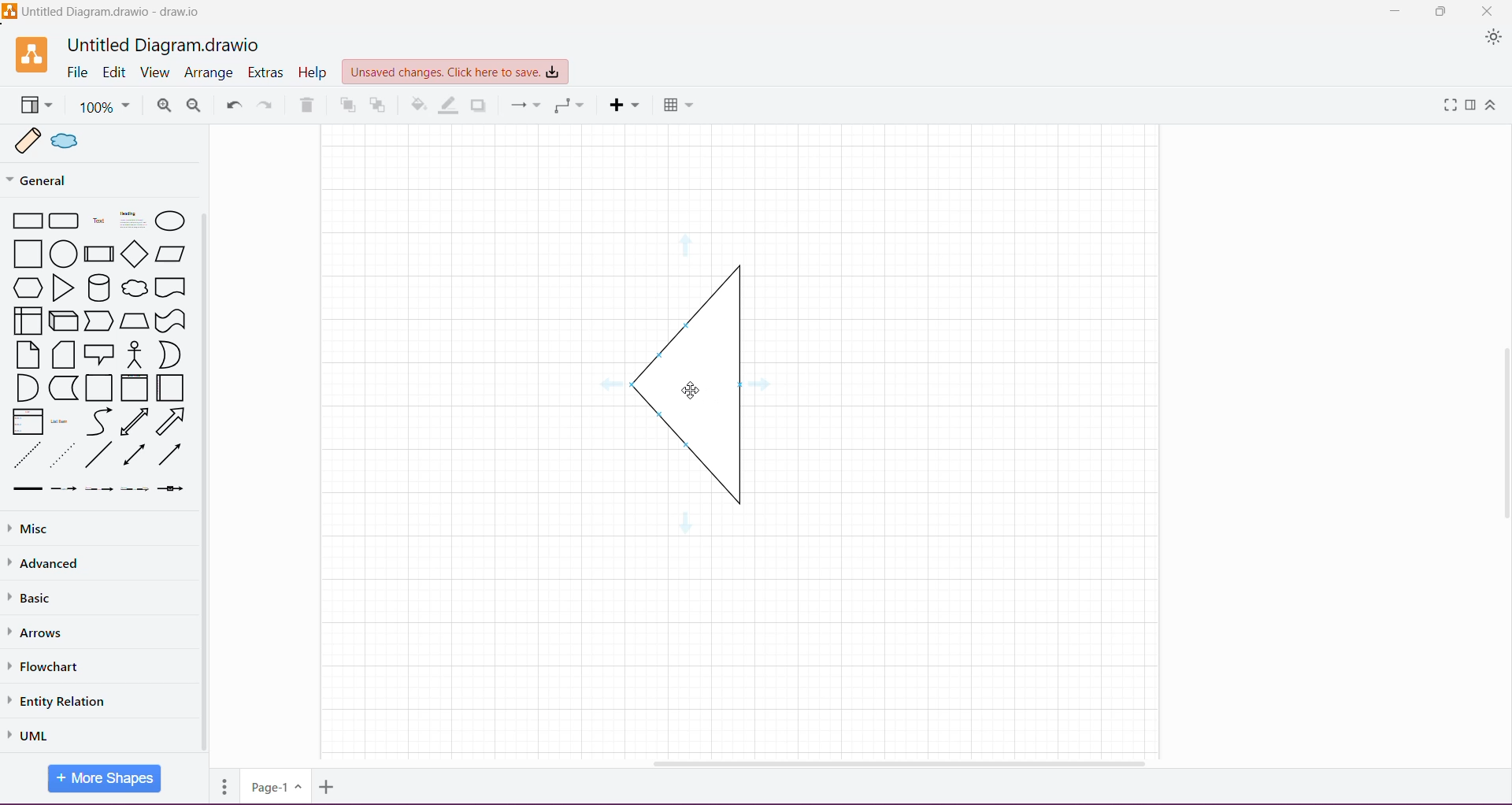 This screenshot has height=805, width=1512. Describe the element at coordinates (265, 73) in the screenshot. I see `Extras` at that location.